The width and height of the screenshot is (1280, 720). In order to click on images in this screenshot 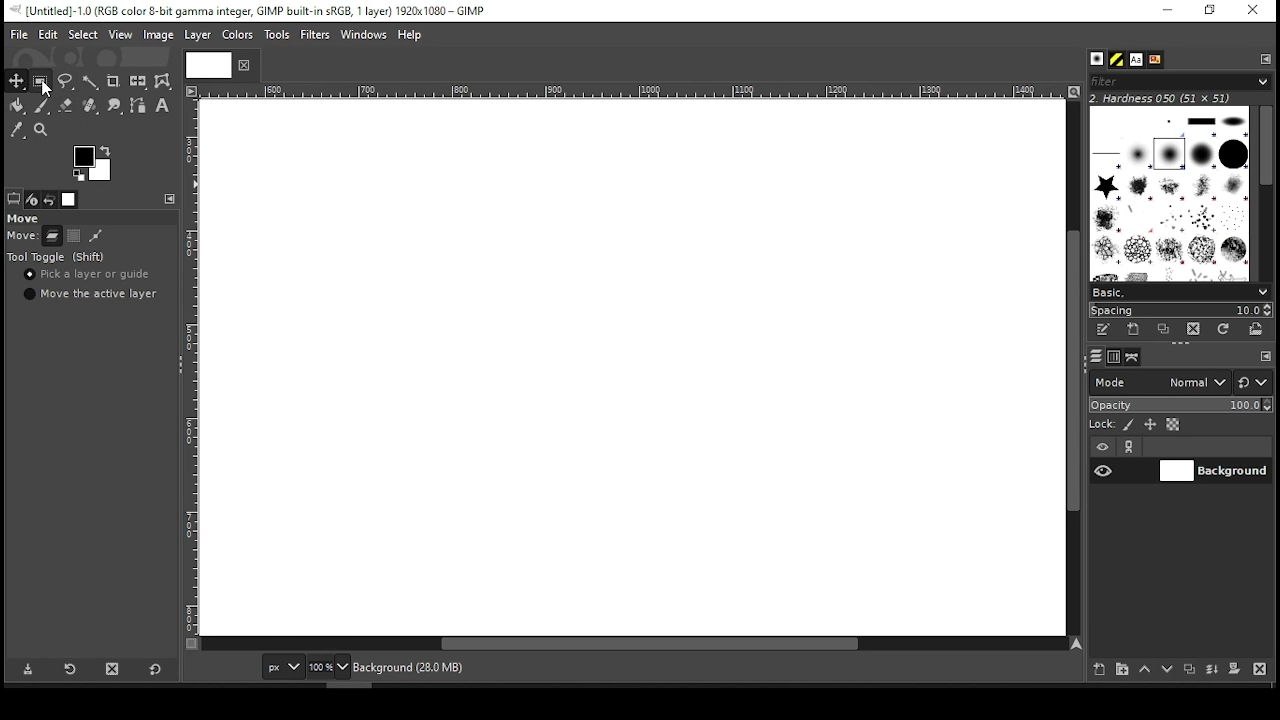, I will do `click(70, 200)`.